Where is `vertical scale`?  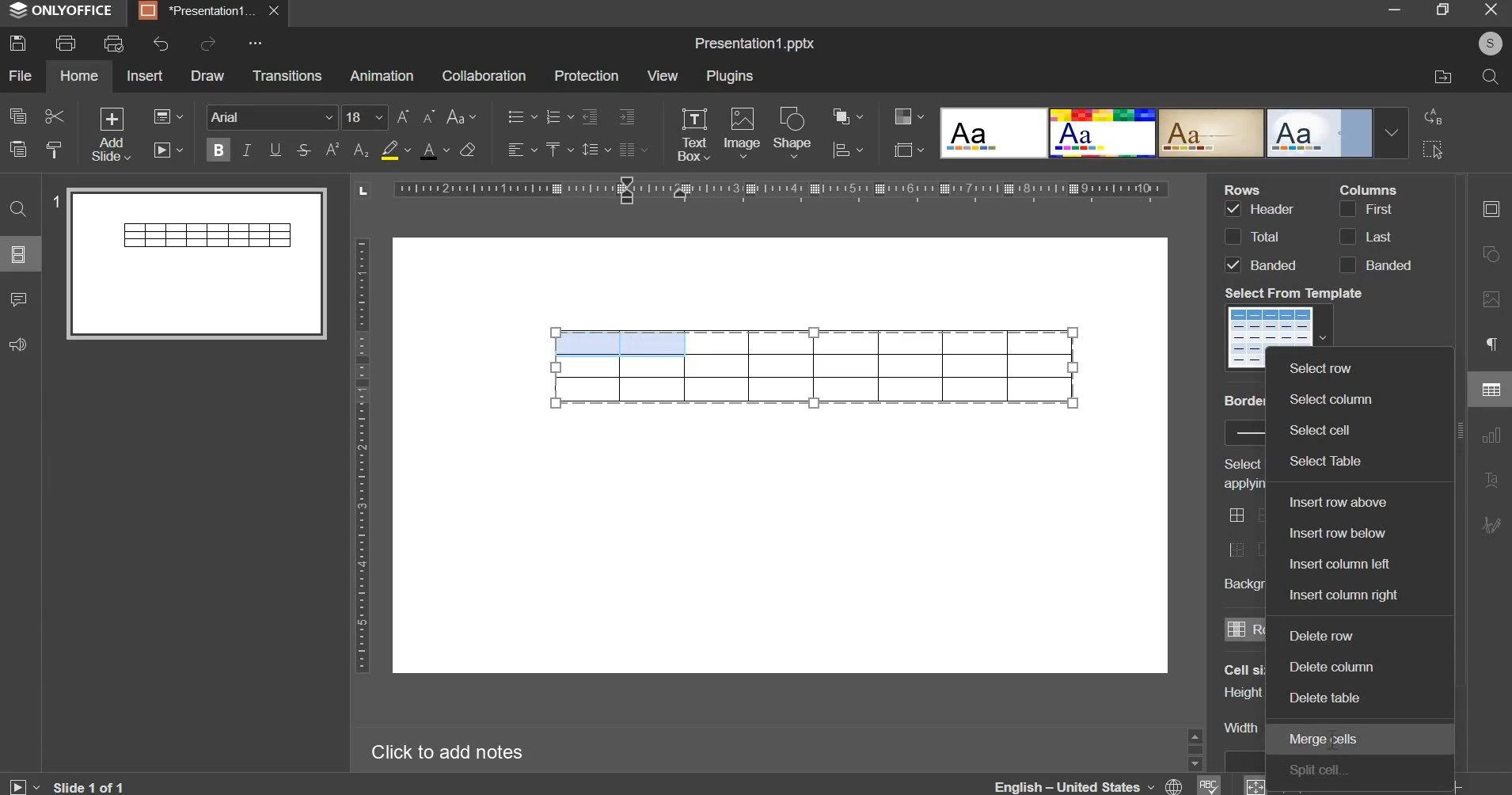
vertical scale is located at coordinates (361, 455).